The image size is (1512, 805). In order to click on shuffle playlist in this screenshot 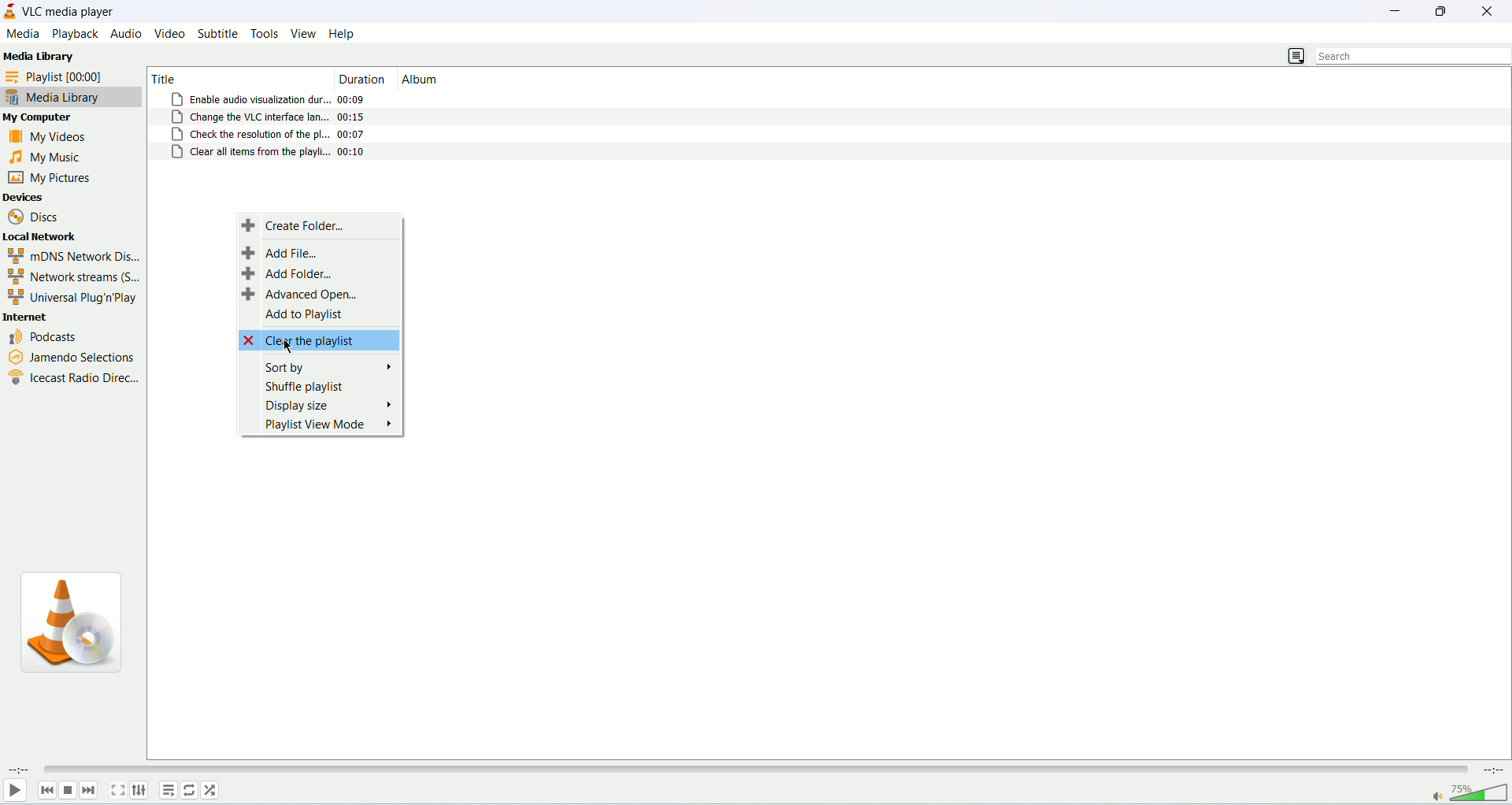, I will do `click(305, 387)`.